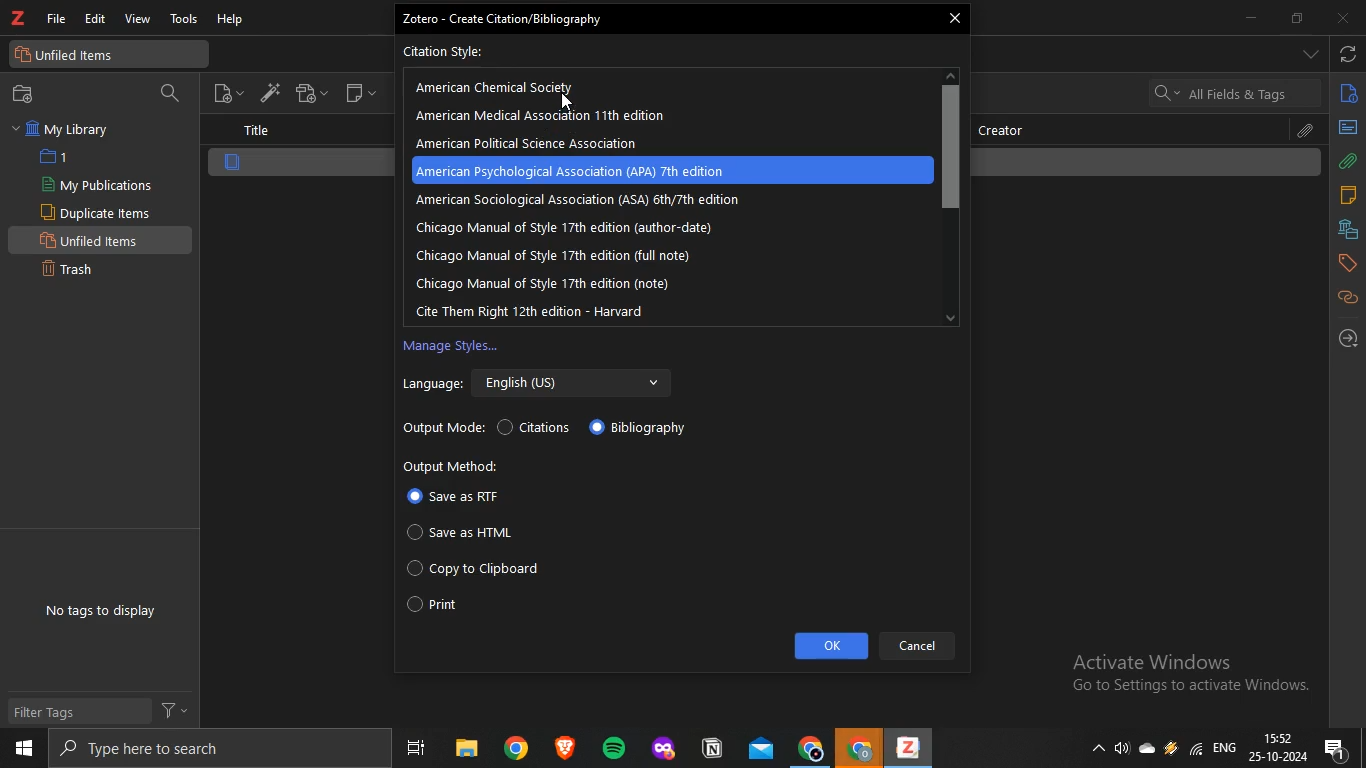  What do you see at coordinates (172, 94) in the screenshot?
I see `filter collection` at bounding box center [172, 94].